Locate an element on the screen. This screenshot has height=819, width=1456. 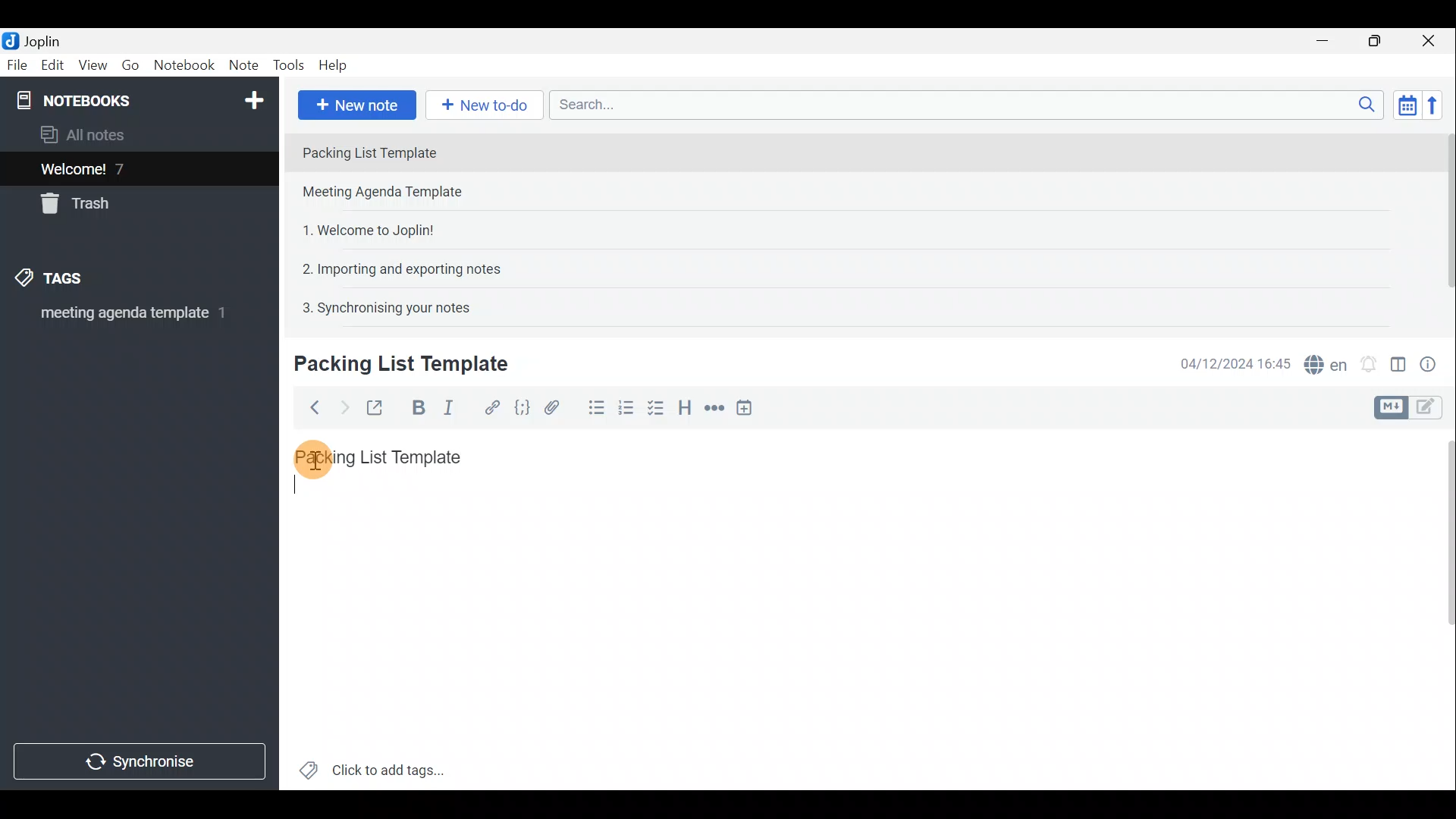
Toggle editors is located at coordinates (1433, 409).